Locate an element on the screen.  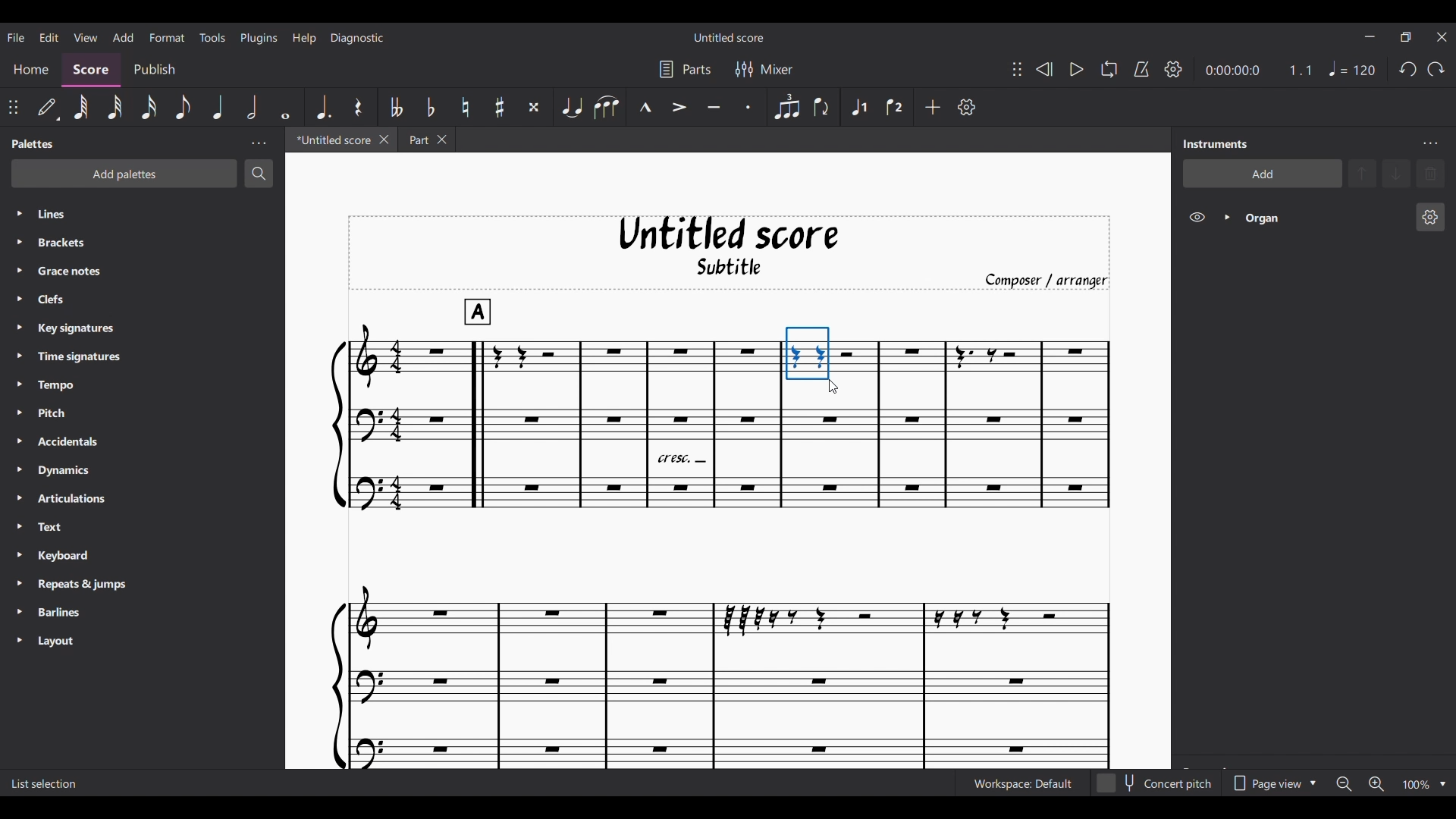
List of palettes is located at coordinates (158, 428).